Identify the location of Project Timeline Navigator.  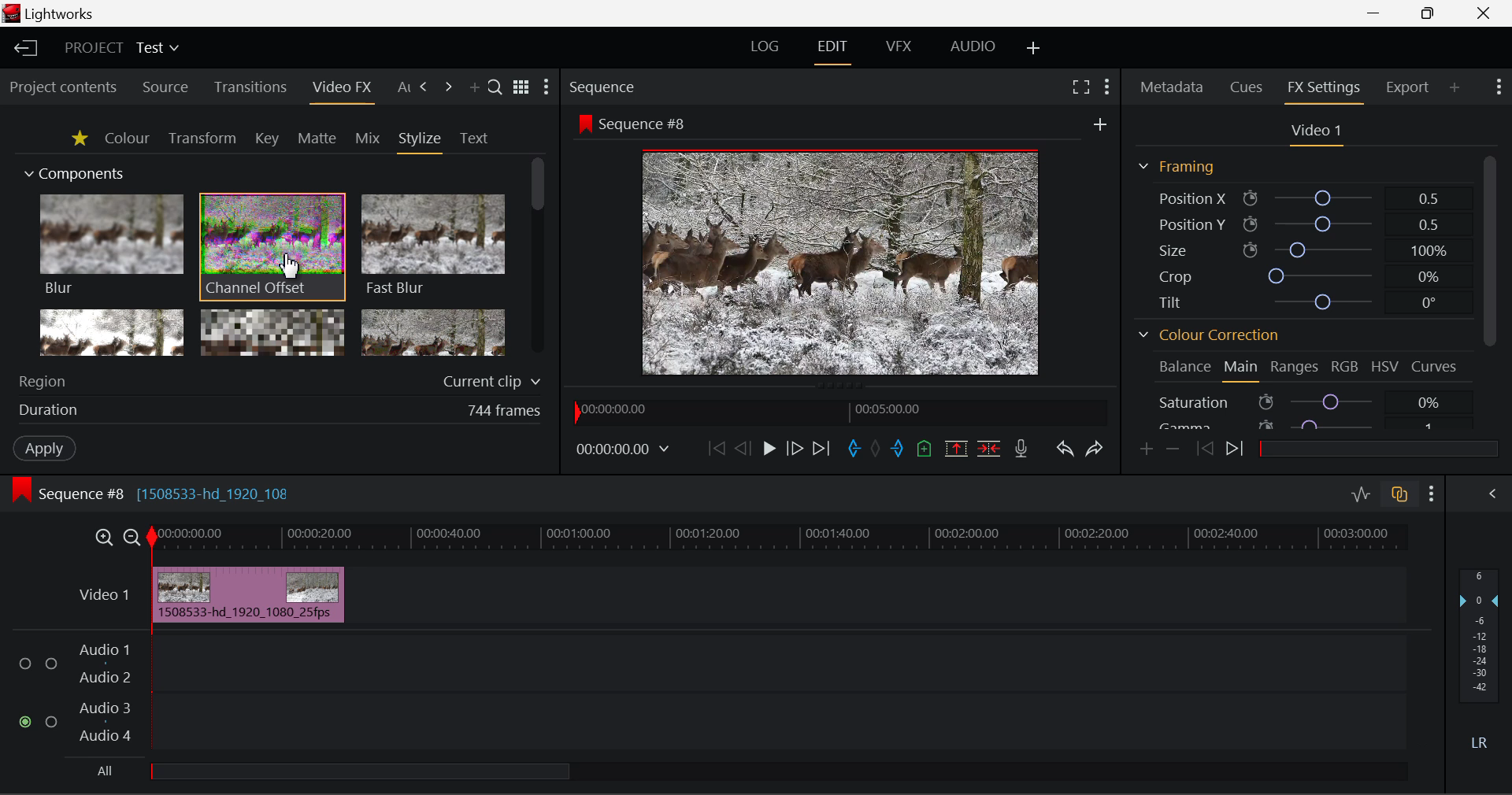
(841, 412).